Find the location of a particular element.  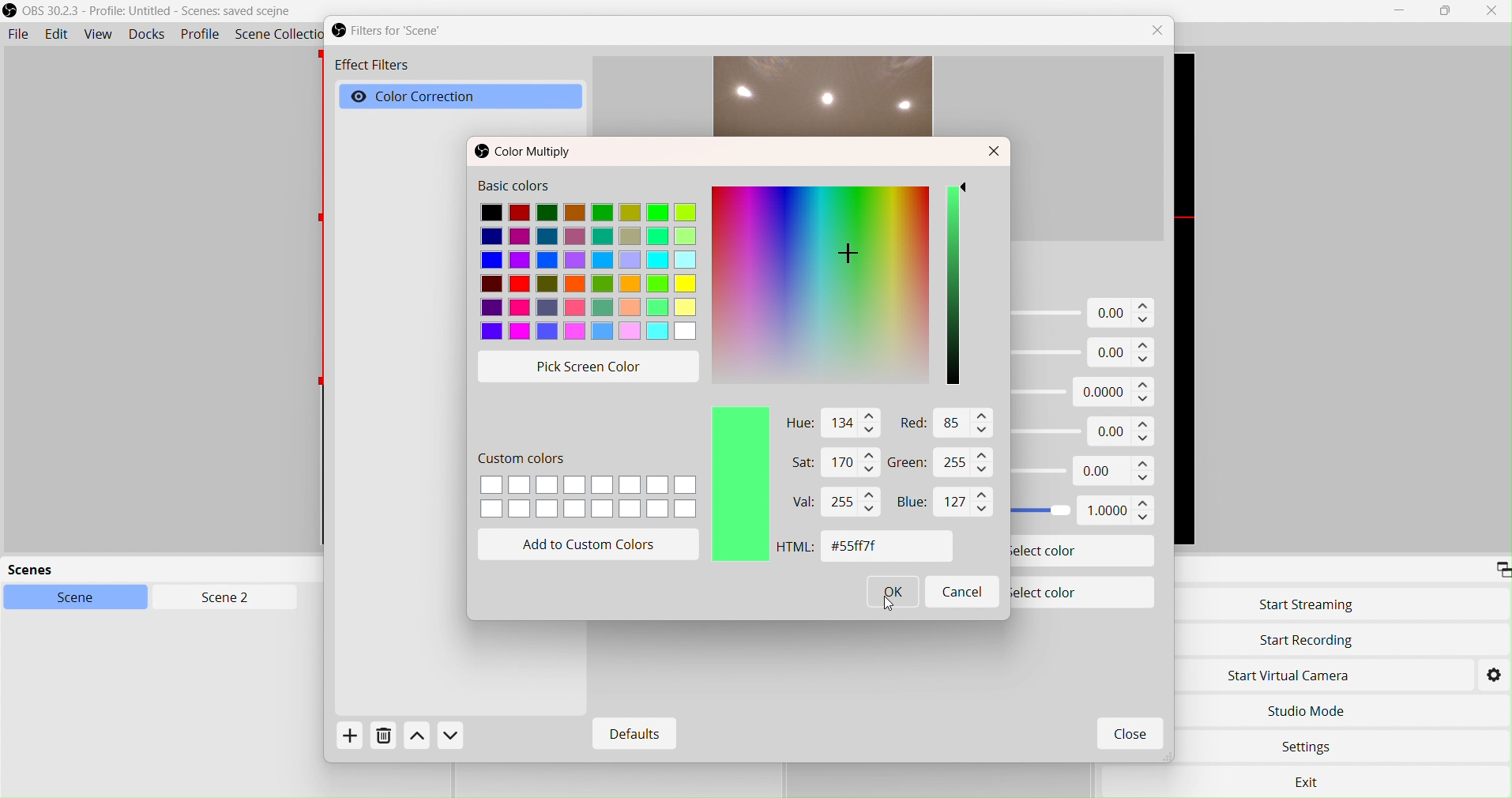

Custom Colors is located at coordinates (589, 489).